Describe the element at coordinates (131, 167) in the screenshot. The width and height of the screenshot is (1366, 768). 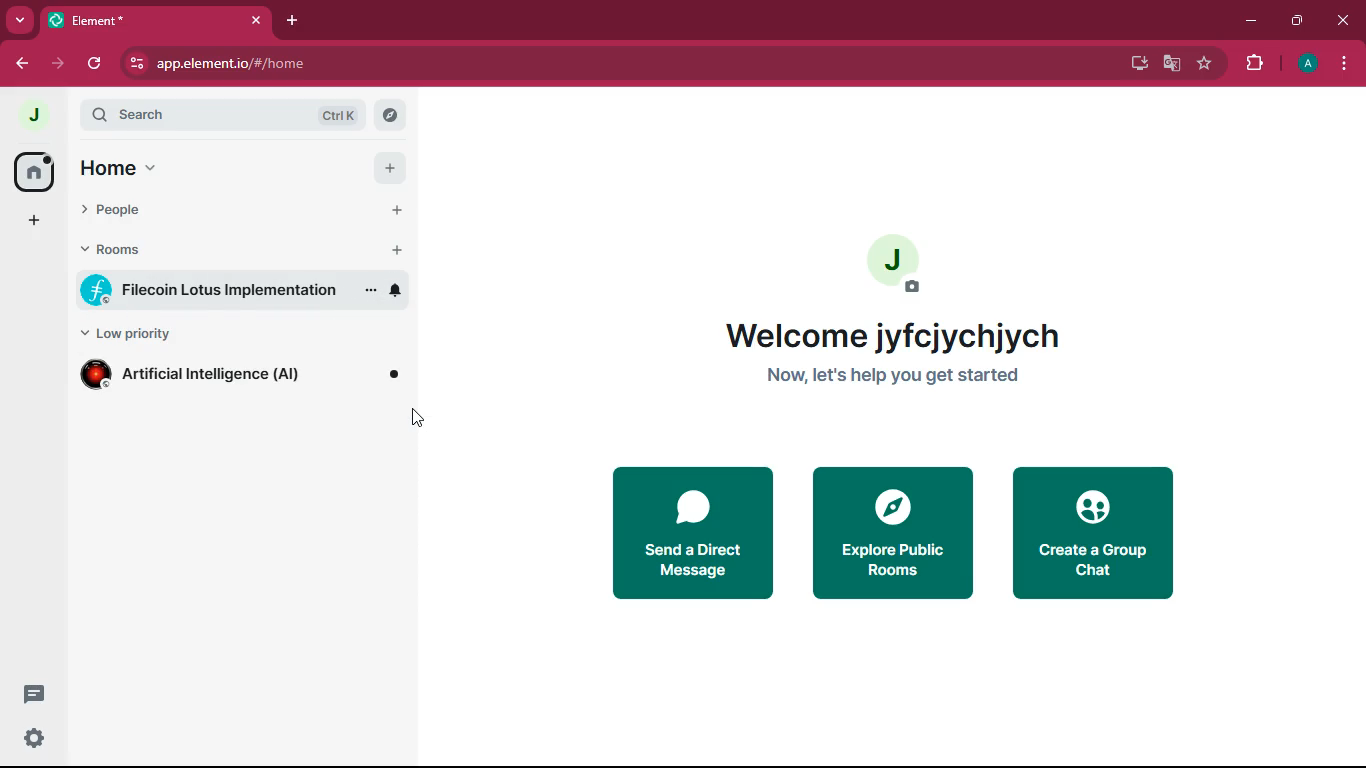
I see `home` at that location.